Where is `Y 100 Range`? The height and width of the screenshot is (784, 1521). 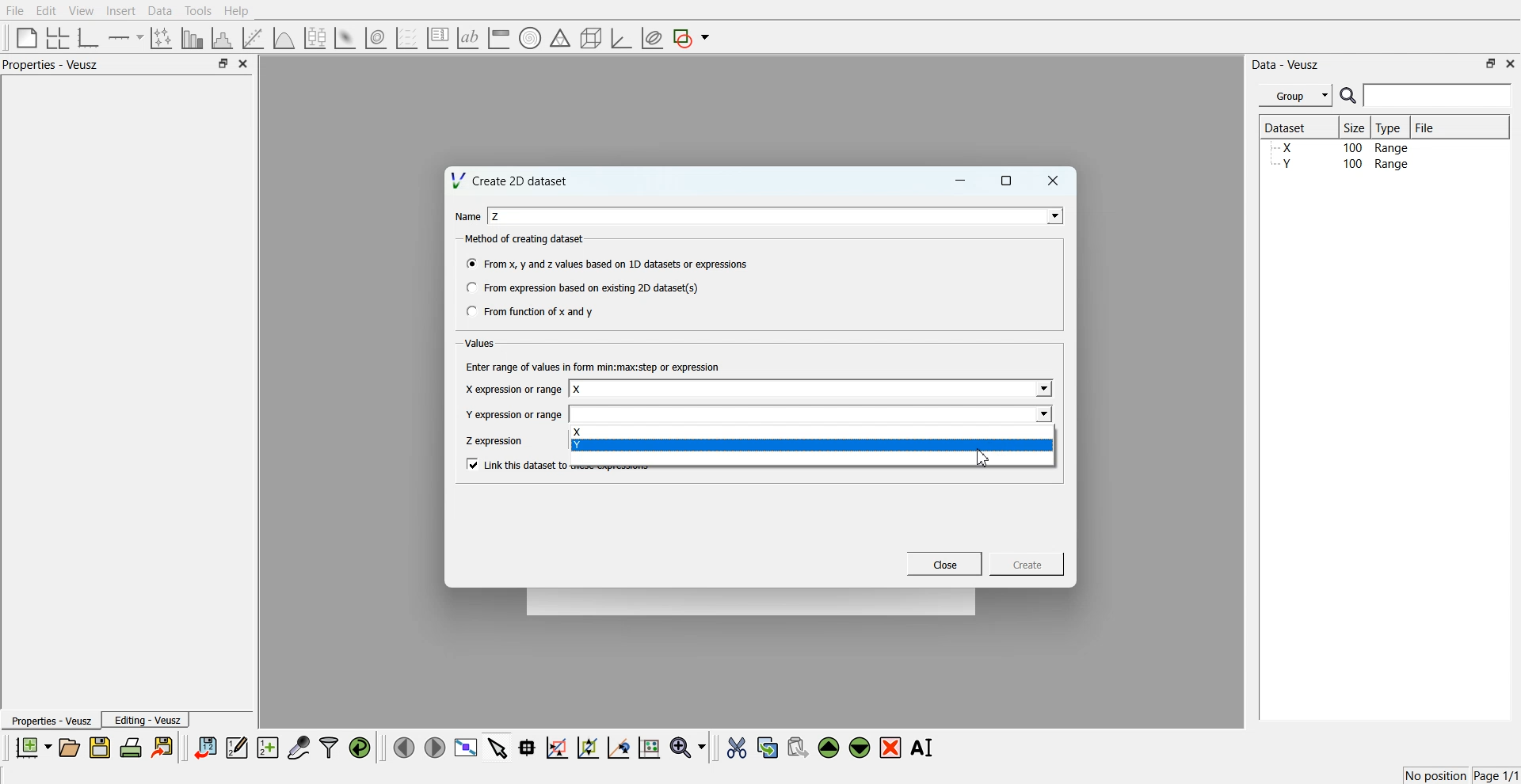
Y 100 Range is located at coordinates (1341, 164).